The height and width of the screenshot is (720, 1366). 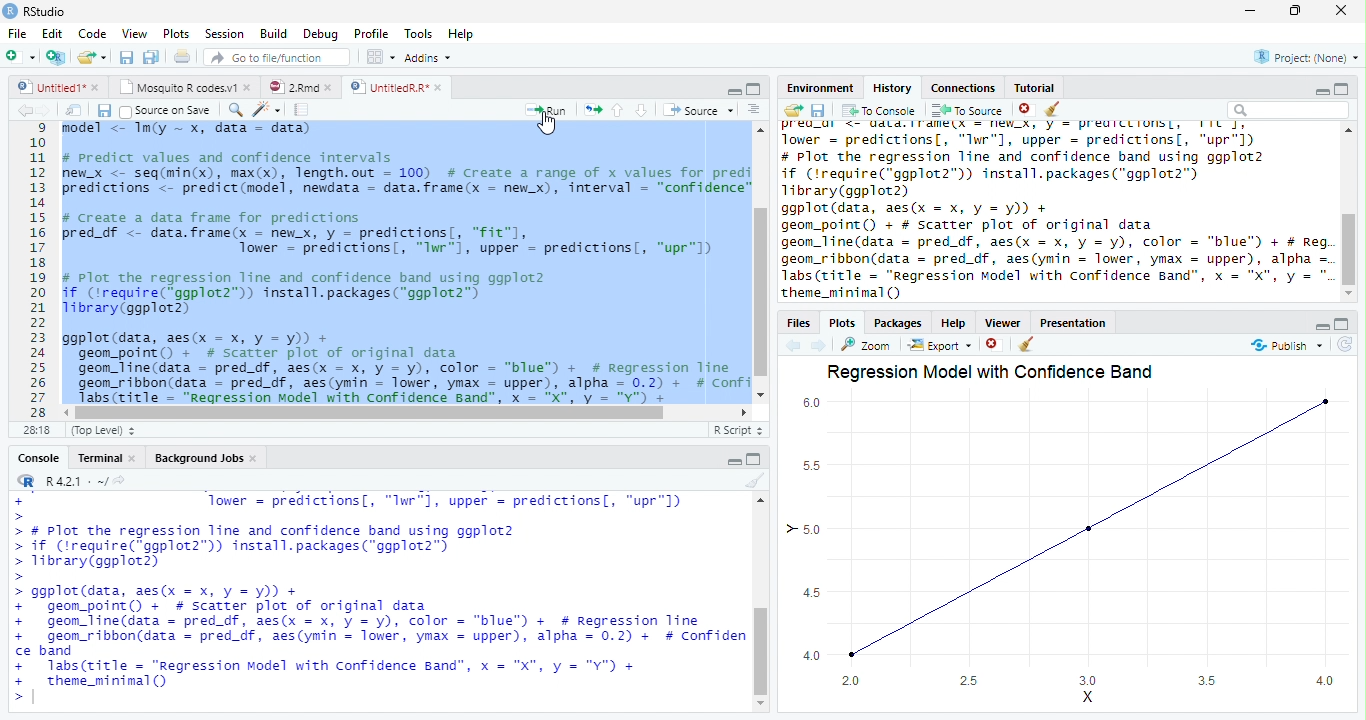 What do you see at coordinates (734, 93) in the screenshot?
I see `minimize` at bounding box center [734, 93].